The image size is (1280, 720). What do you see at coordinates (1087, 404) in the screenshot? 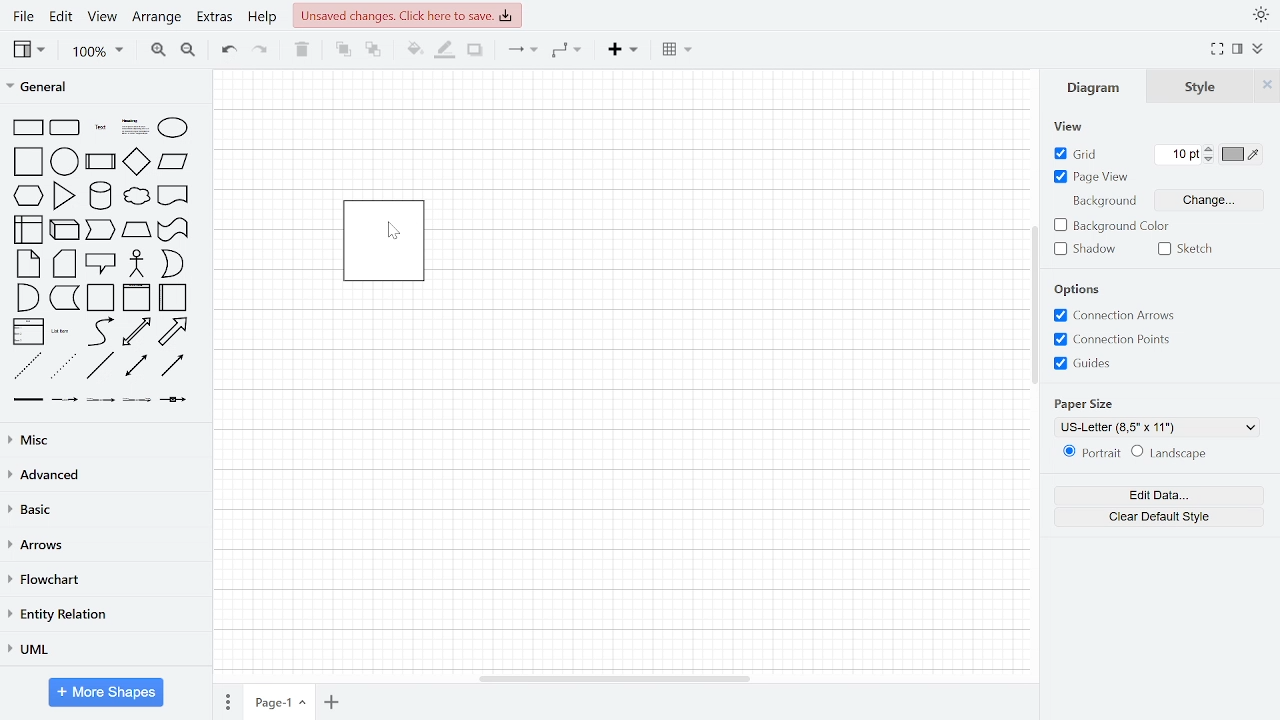
I see `paper size` at bounding box center [1087, 404].